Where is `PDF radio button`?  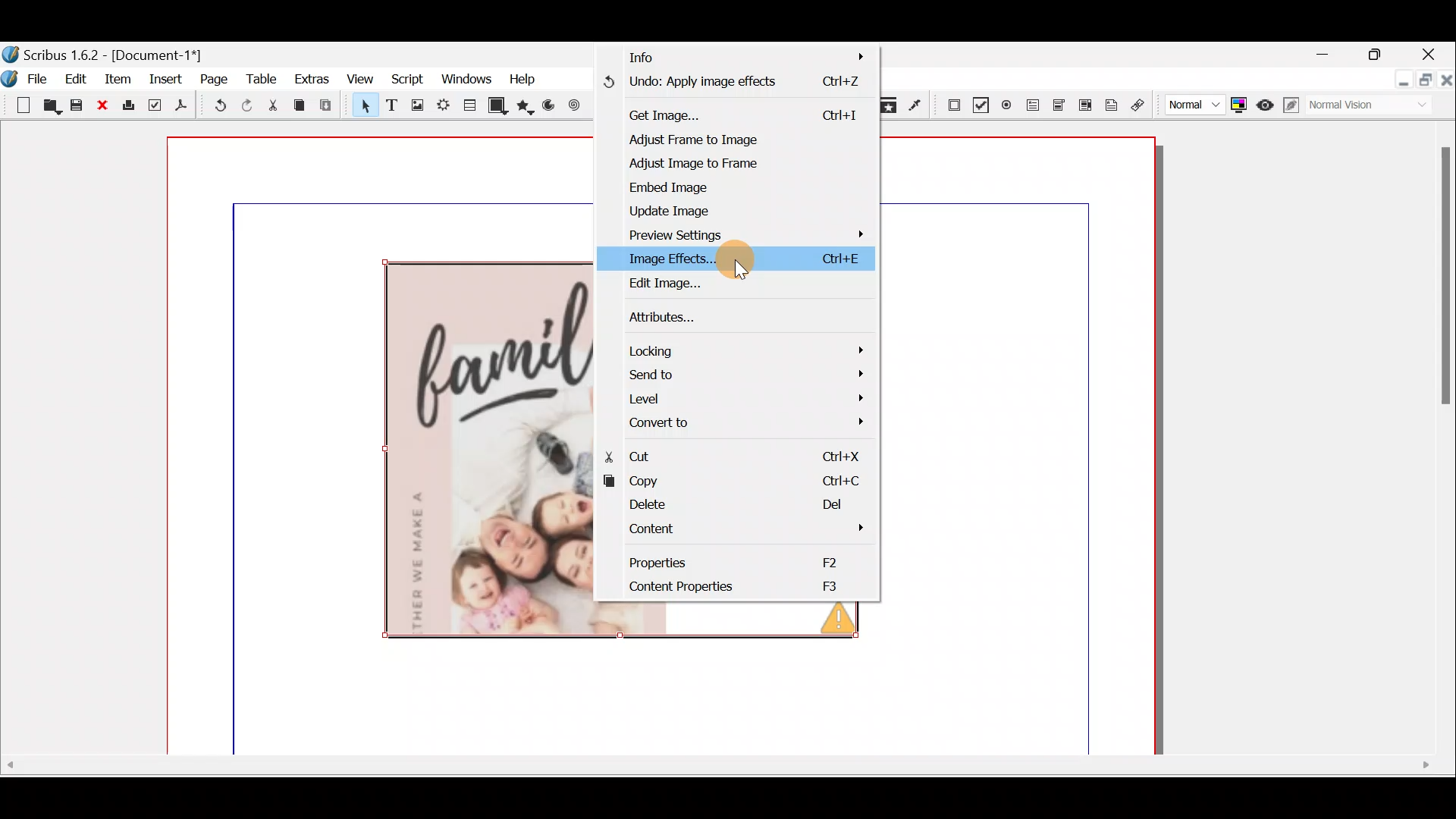
PDF radio button is located at coordinates (1008, 103).